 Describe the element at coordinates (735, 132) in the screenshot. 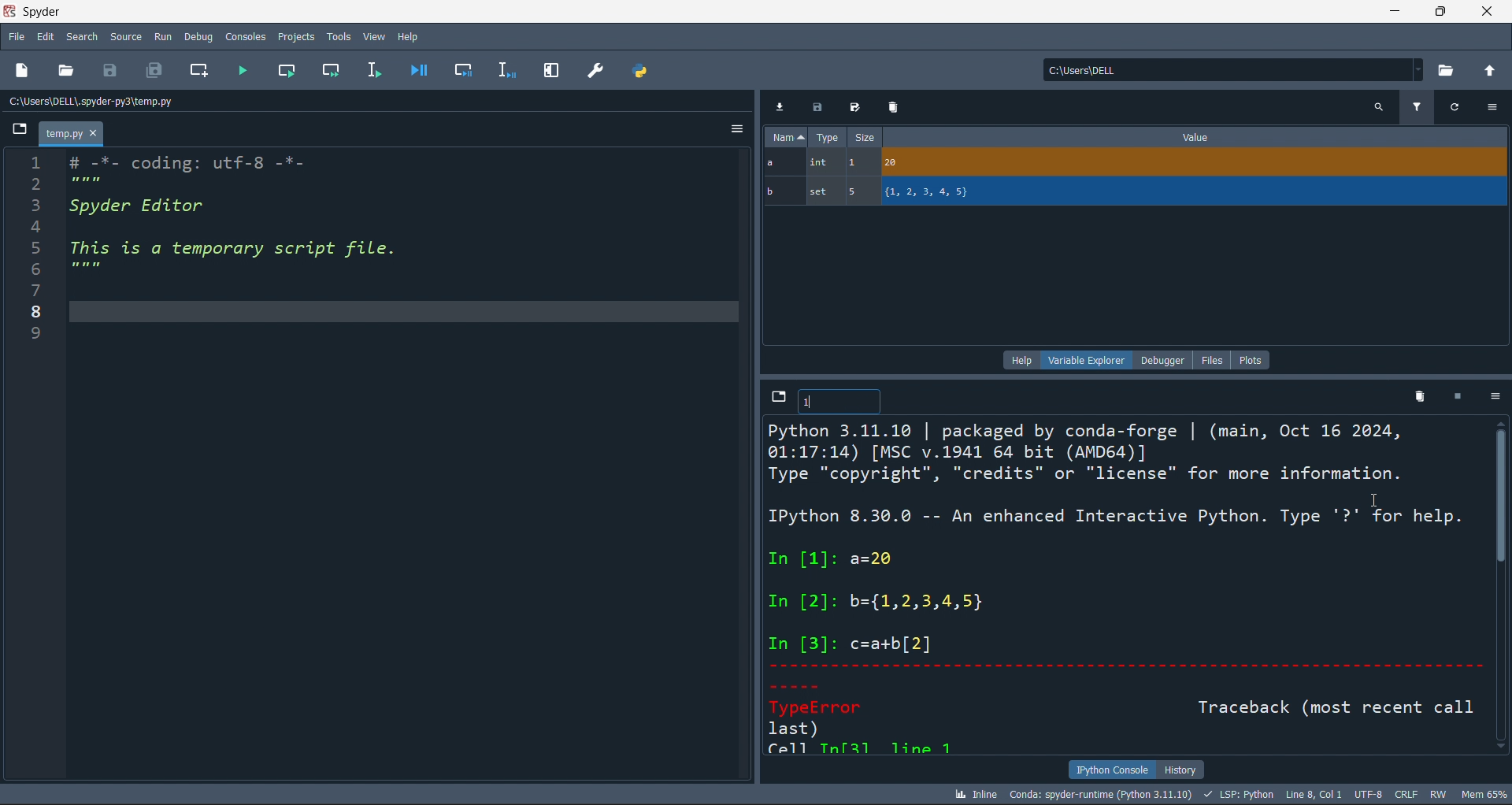

I see `options` at that location.